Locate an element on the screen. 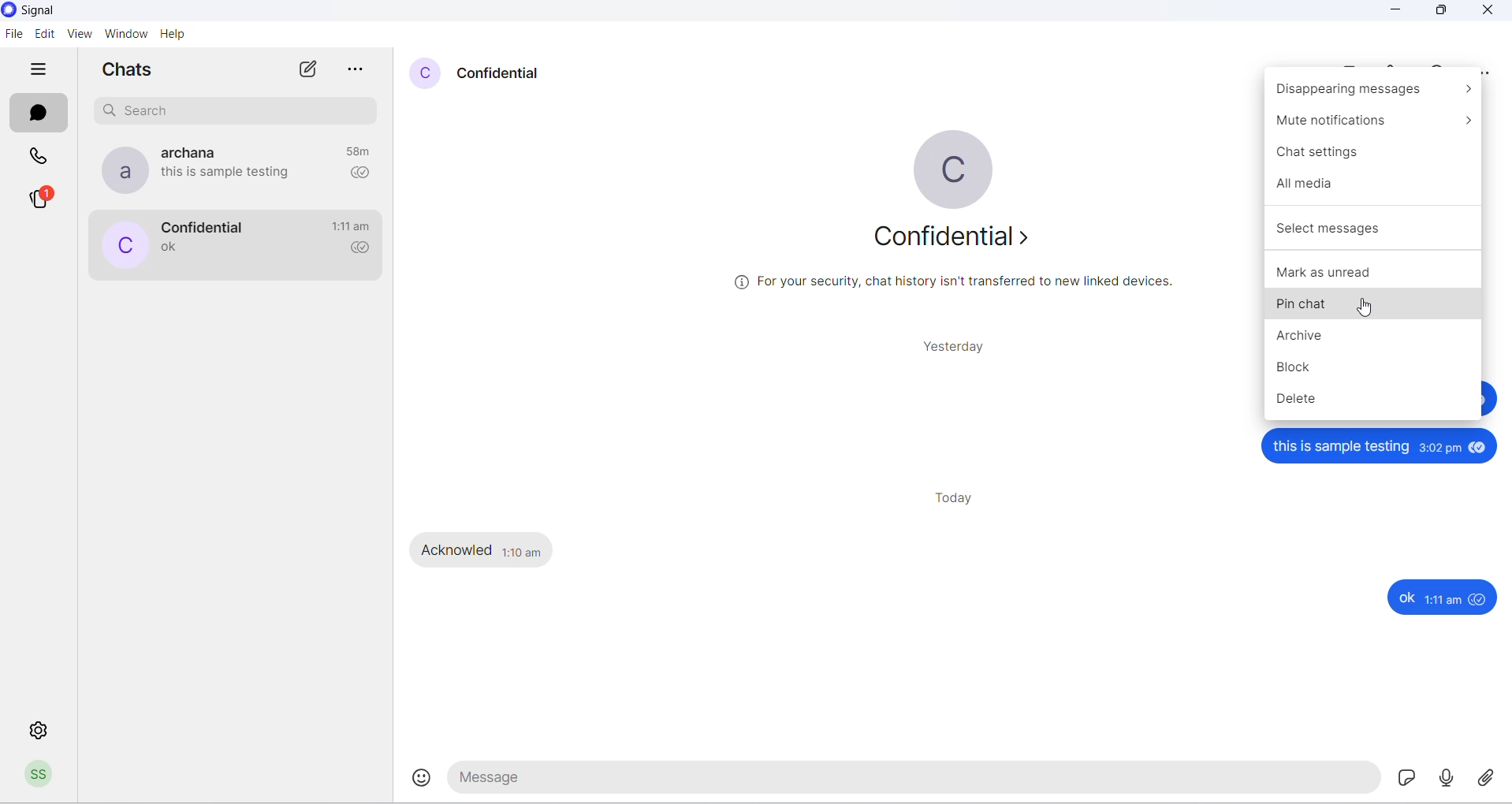 This screenshot has height=804, width=1512. archive is located at coordinates (1373, 337).